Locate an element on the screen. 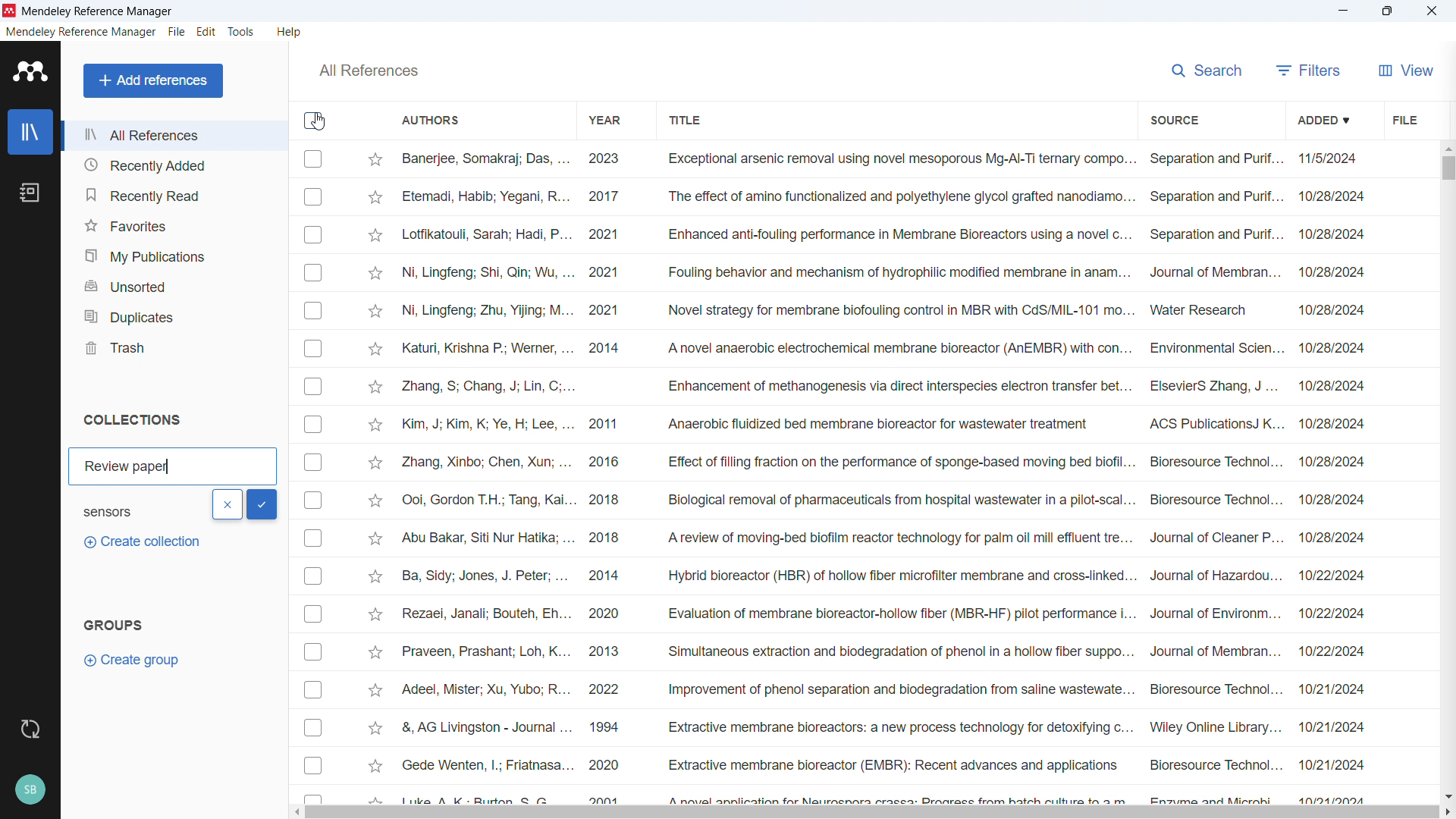 Image resolution: width=1456 pixels, height=819 pixels. Sync  is located at coordinates (31, 730).